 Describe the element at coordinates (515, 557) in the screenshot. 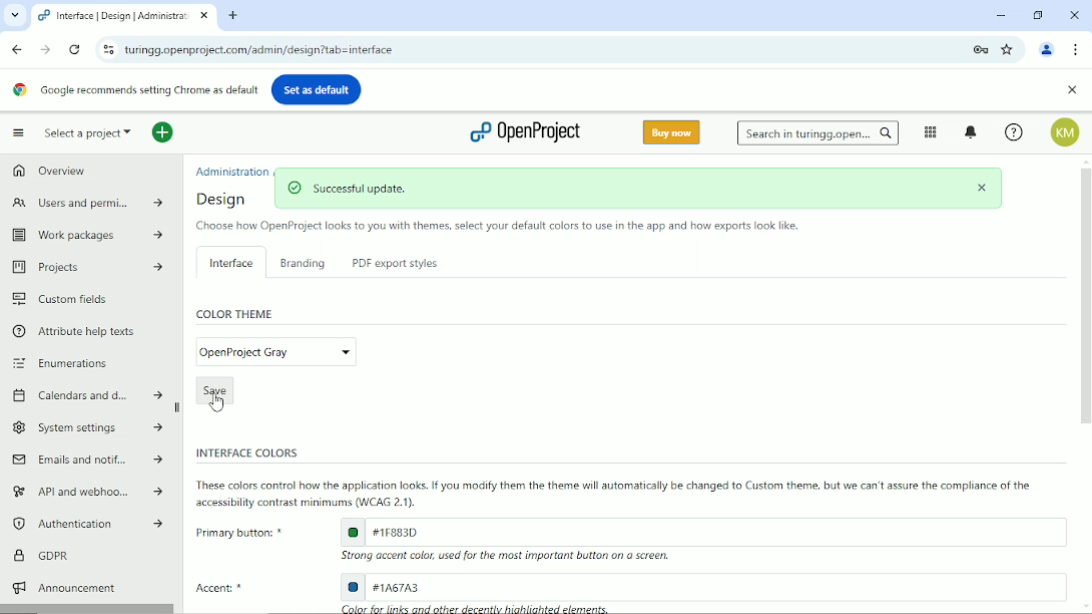

I see `EE Strong accent color, used for the mast important button on a screen.` at that location.